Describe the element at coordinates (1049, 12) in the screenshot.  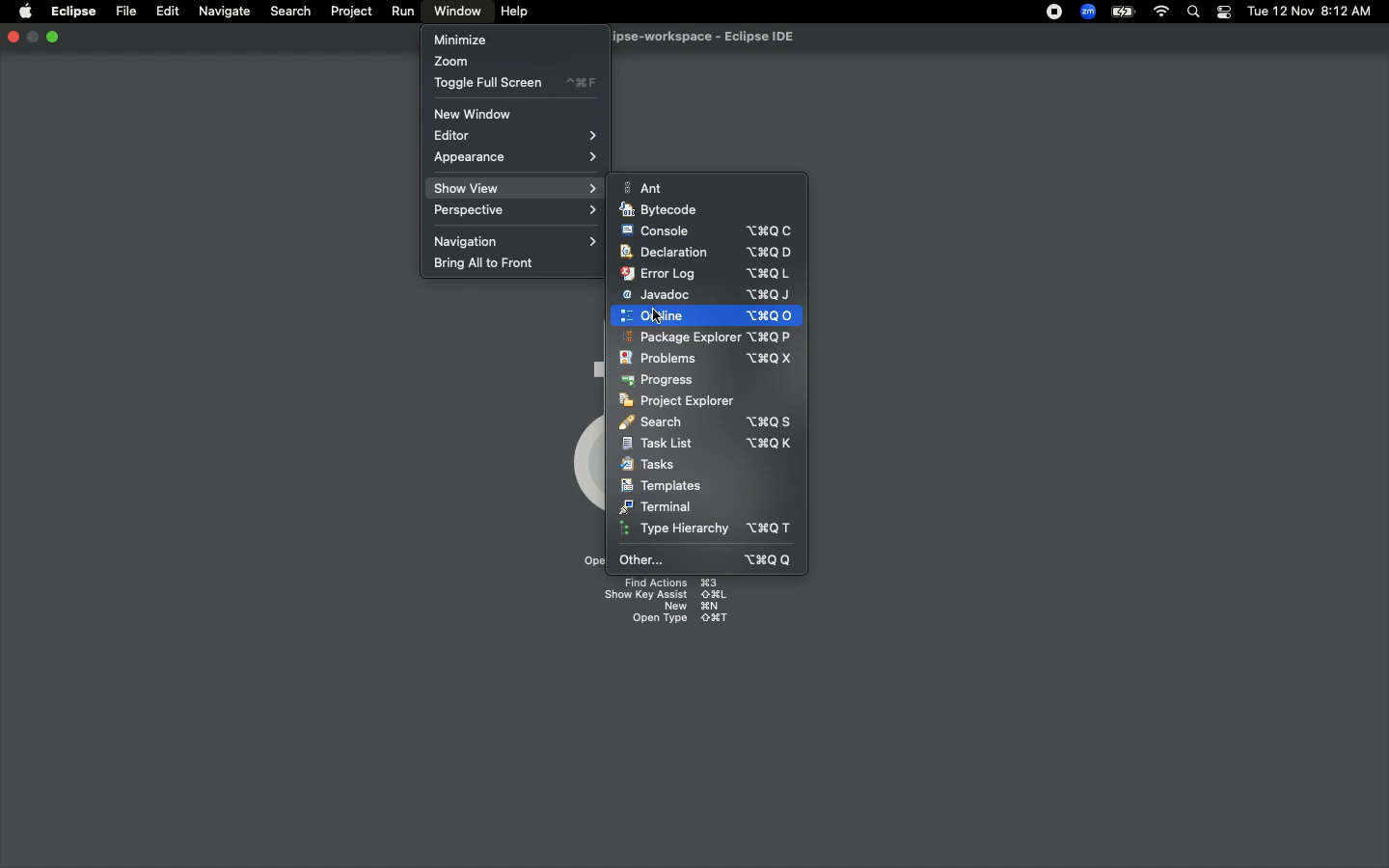
I see `Recording` at that location.